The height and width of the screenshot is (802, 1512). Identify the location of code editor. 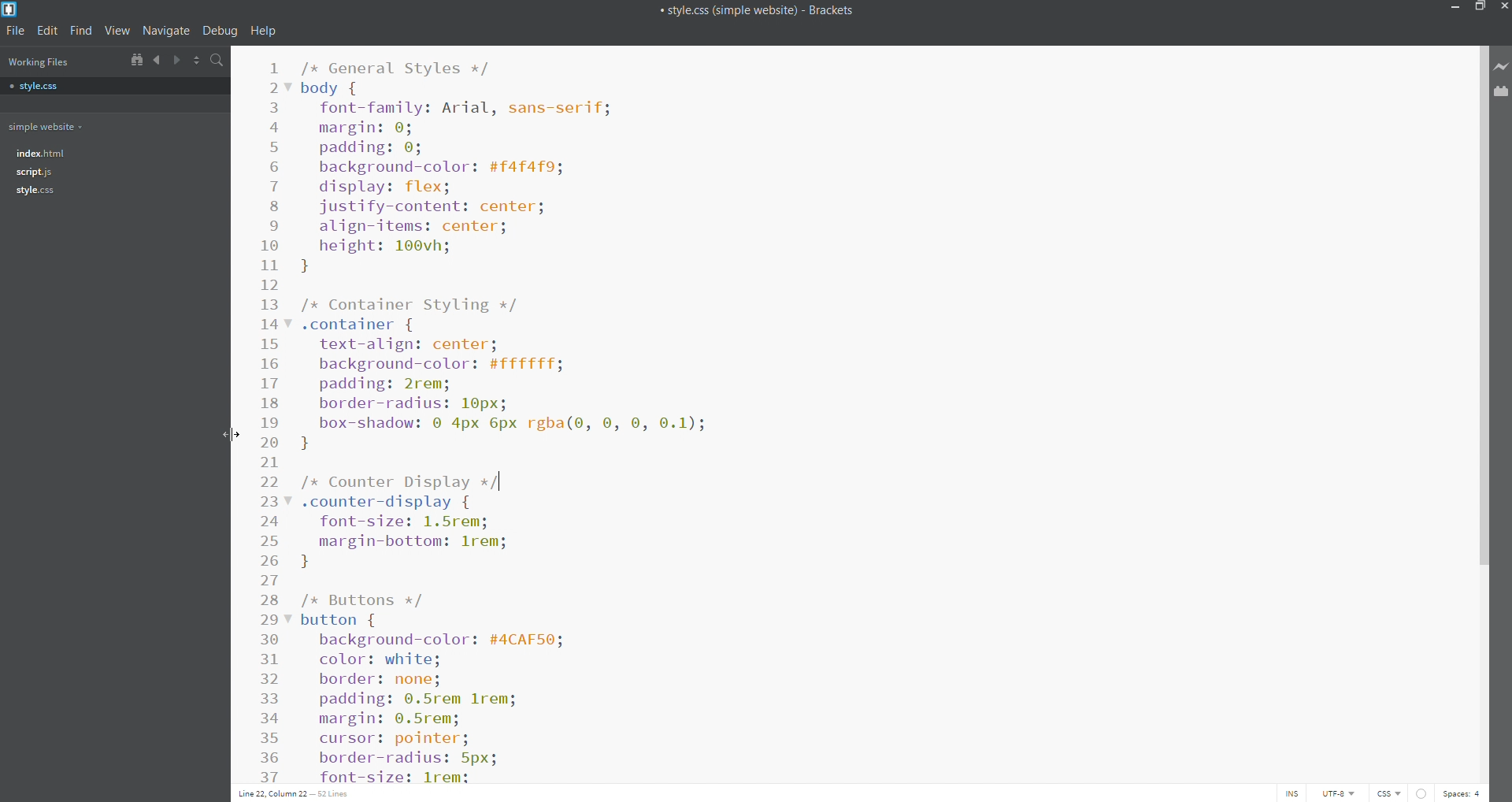
(859, 417).